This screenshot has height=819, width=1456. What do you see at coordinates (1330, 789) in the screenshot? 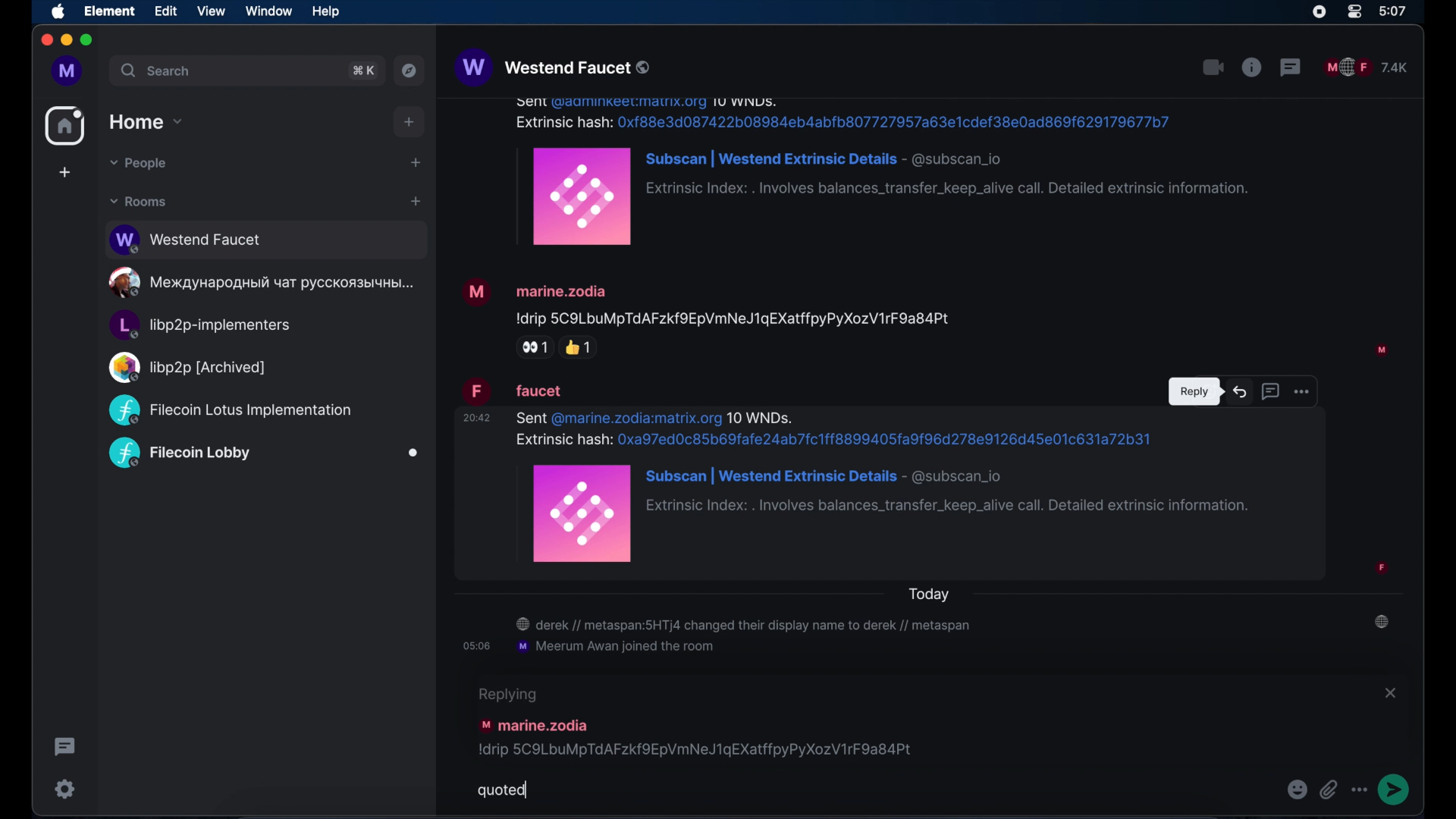
I see `attachments` at bounding box center [1330, 789].